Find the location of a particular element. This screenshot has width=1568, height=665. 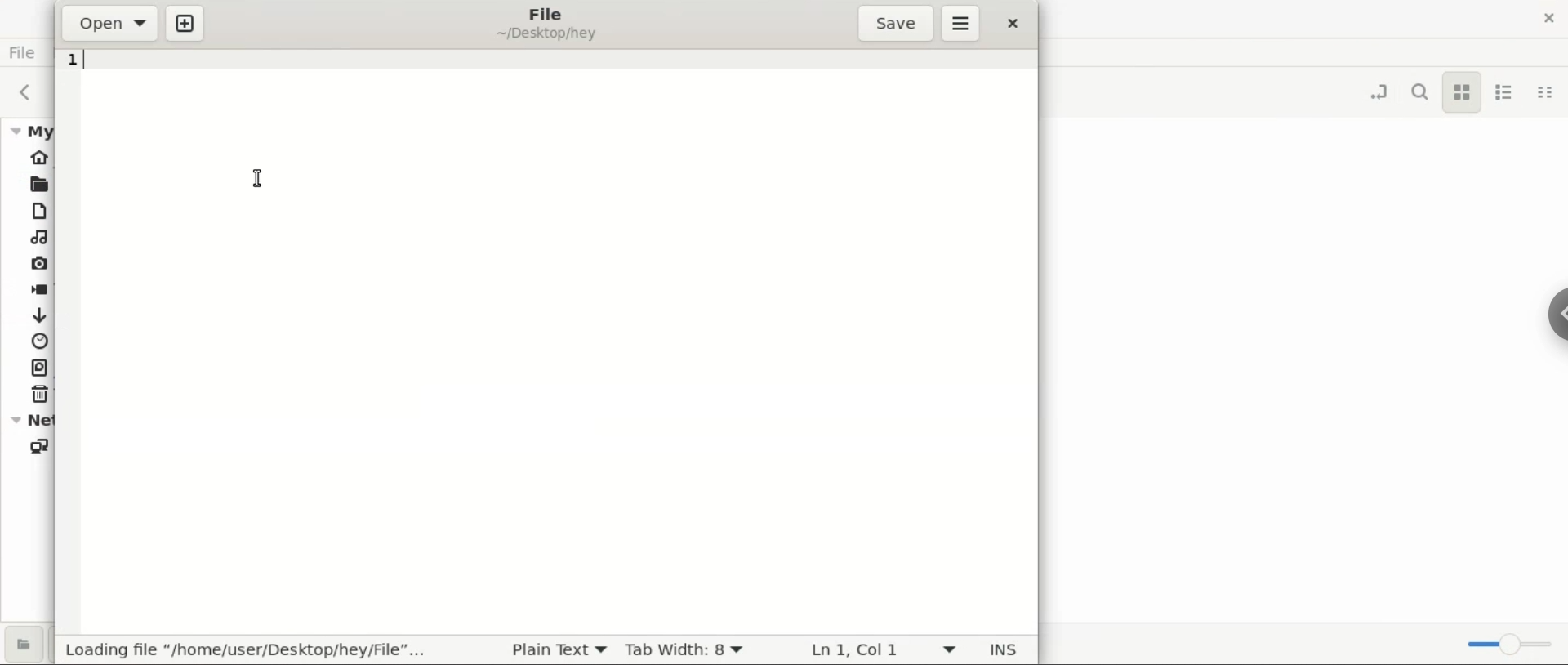

ln 1, col 1 is located at coordinates (884, 650).